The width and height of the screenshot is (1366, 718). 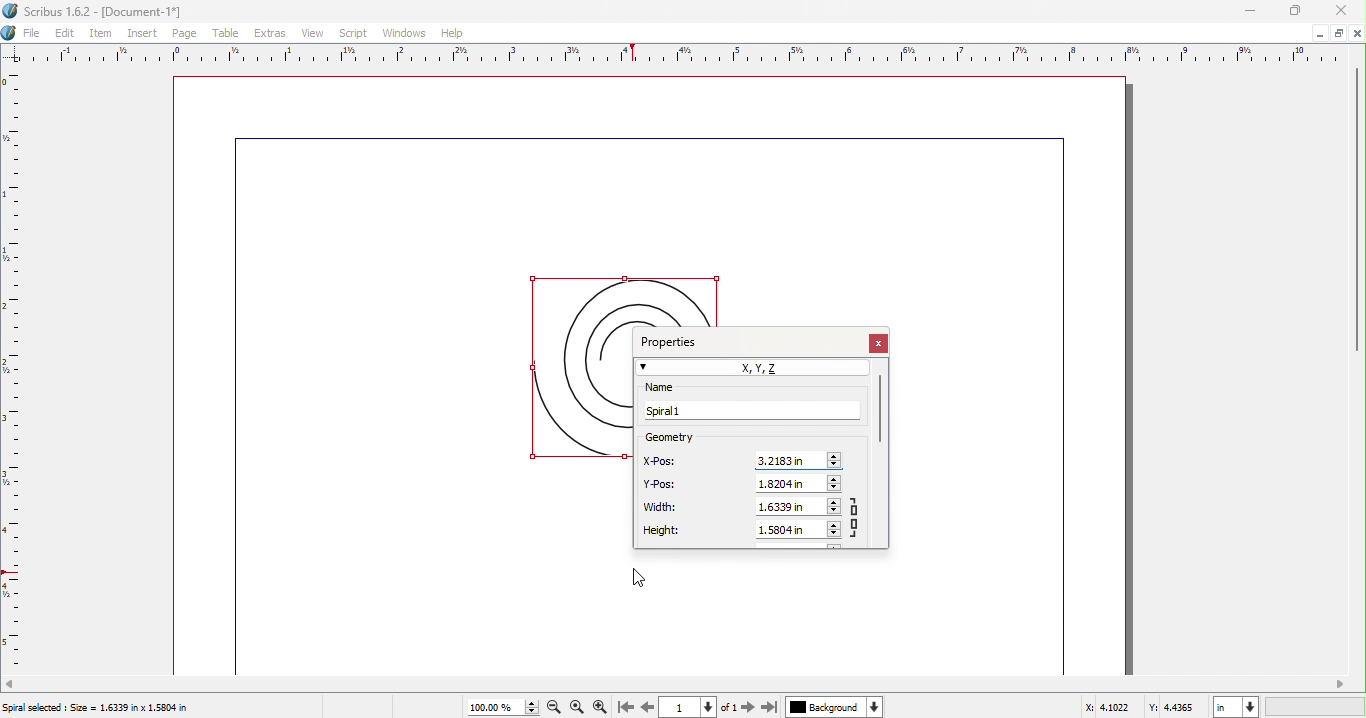 What do you see at coordinates (1342, 683) in the screenshot?
I see `move right` at bounding box center [1342, 683].